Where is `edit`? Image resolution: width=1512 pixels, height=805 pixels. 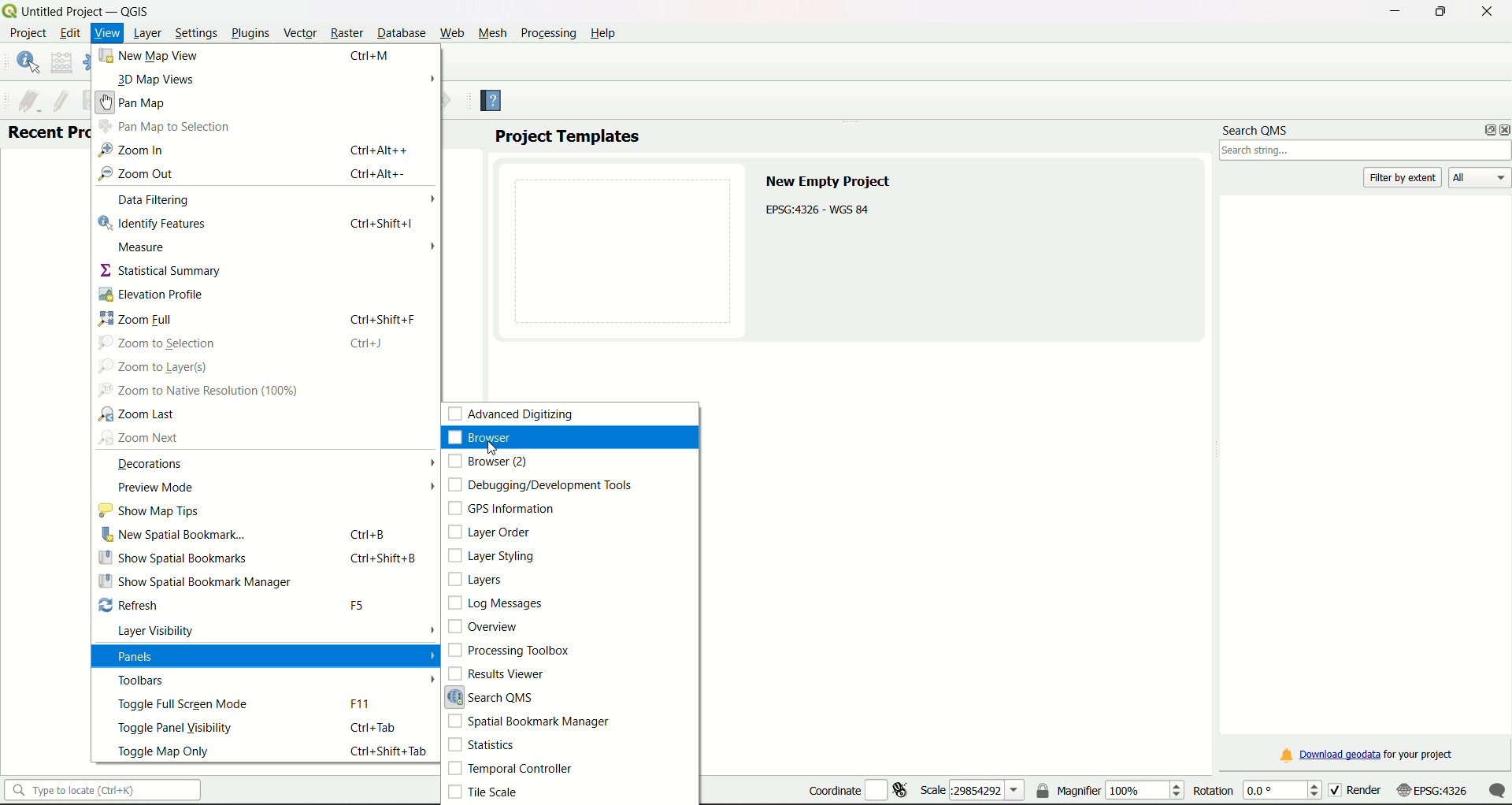 edit is located at coordinates (70, 32).